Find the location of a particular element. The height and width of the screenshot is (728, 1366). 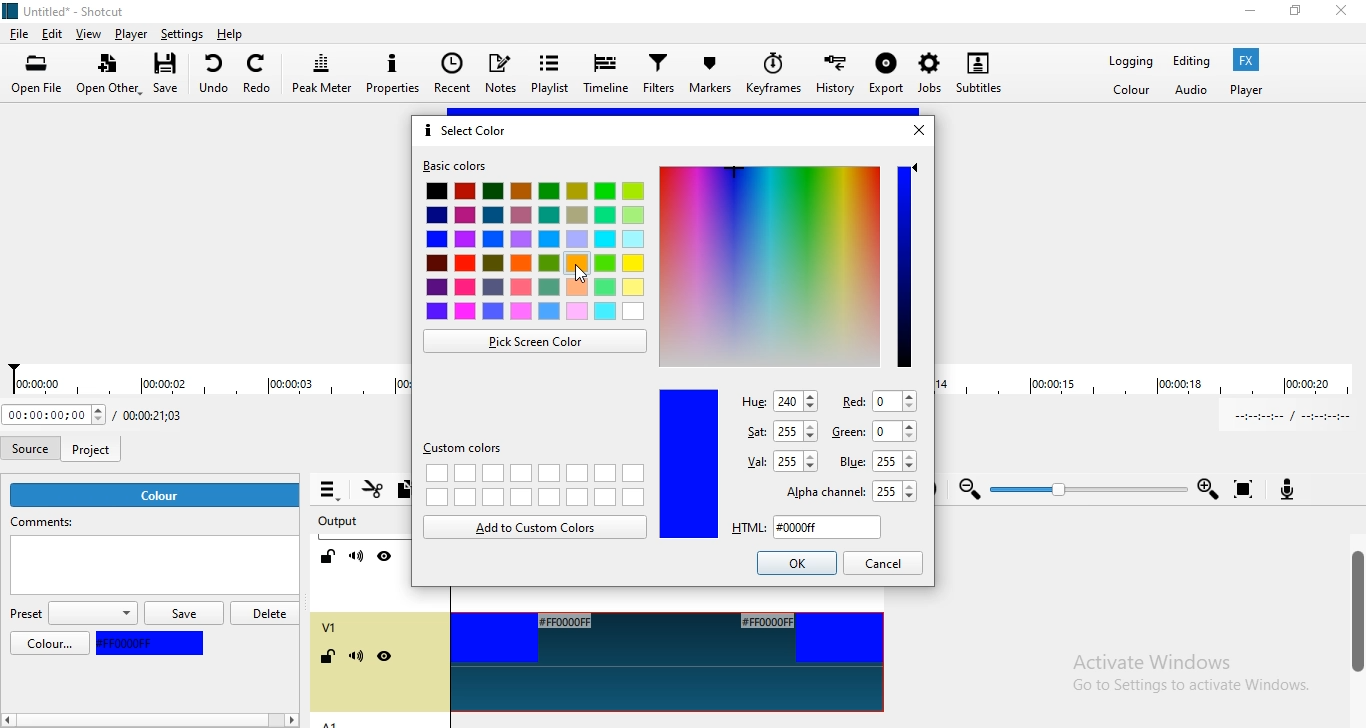

Color is located at coordinates (1131, 92).